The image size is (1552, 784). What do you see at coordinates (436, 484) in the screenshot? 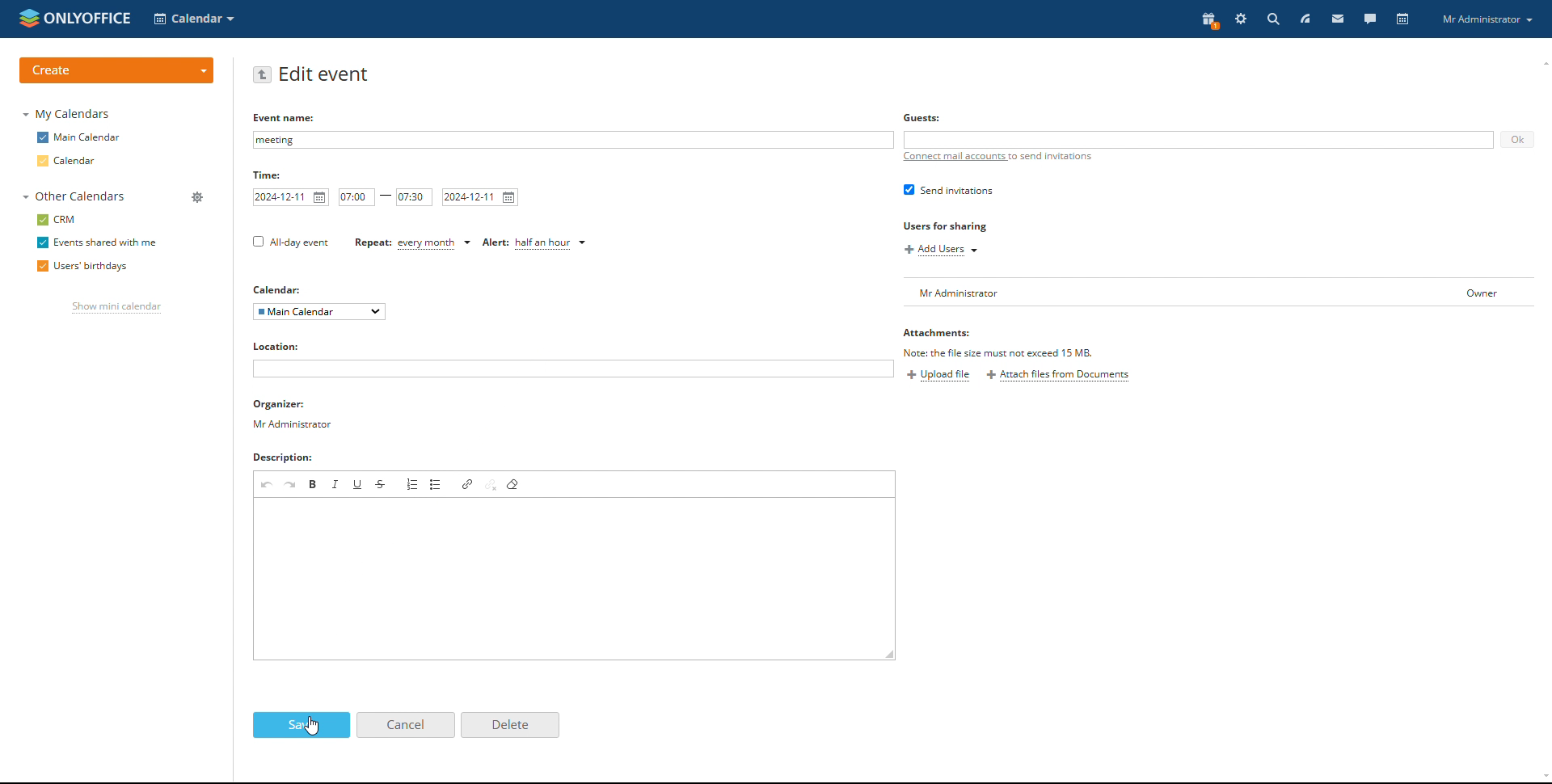
I see `insert/remove bulleted list` at bounding box center [436, 484].